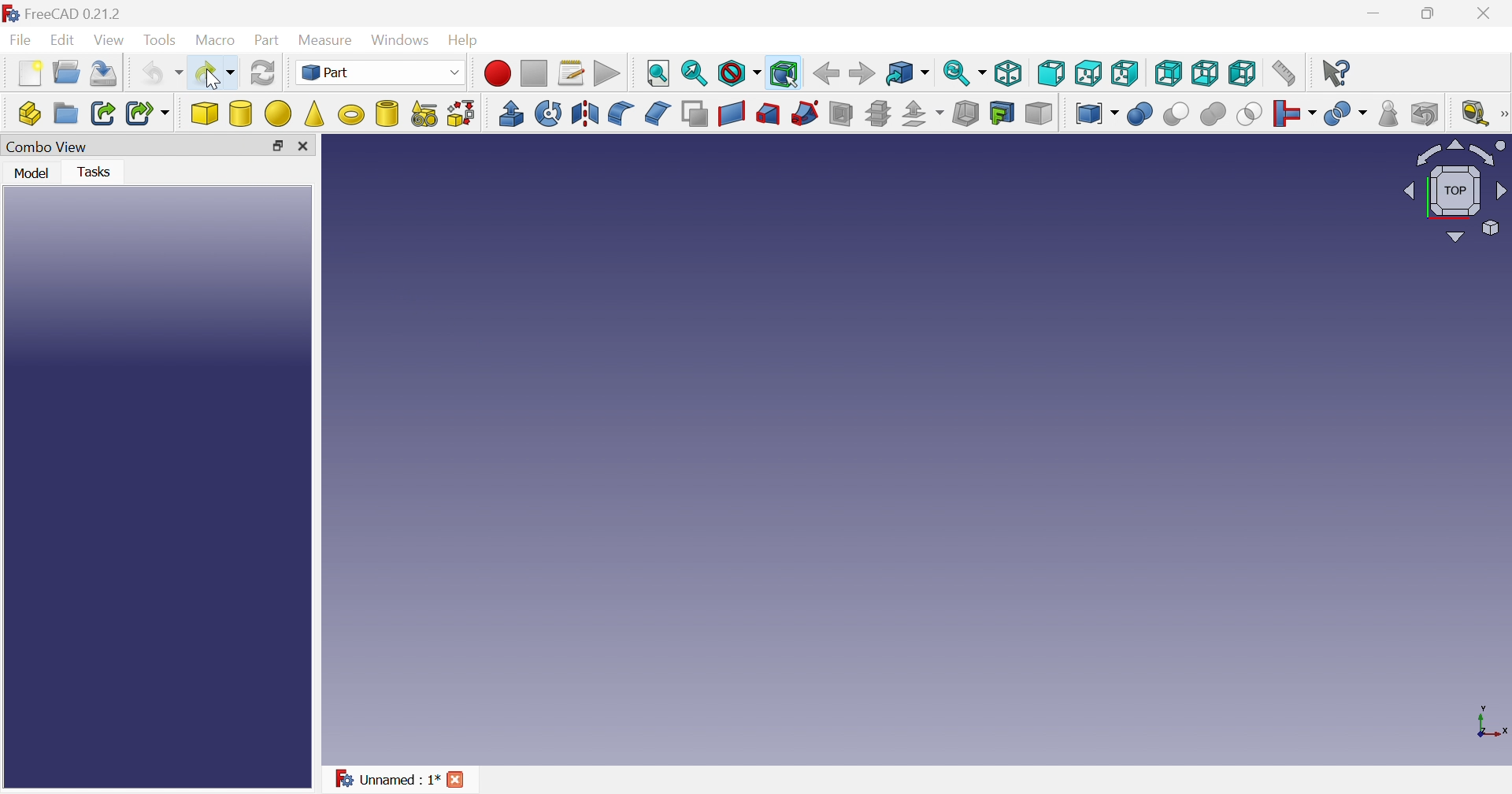 This screenshot has width=1512, height=794. I want to click on Right, so click(1169, 72).